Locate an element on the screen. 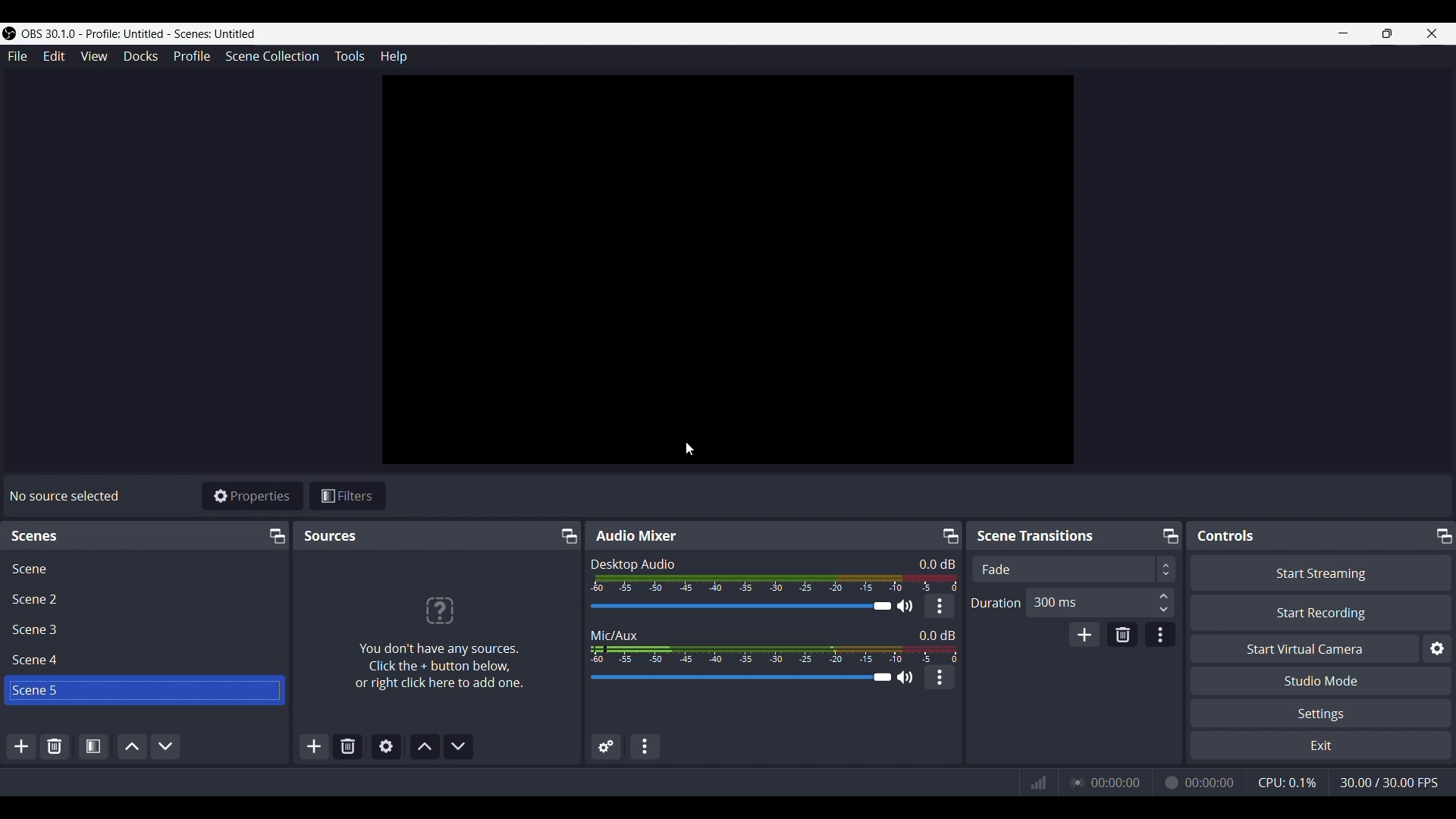 The image size is (1456, 819). "No sources added" text is located at coordinates (441, 634).